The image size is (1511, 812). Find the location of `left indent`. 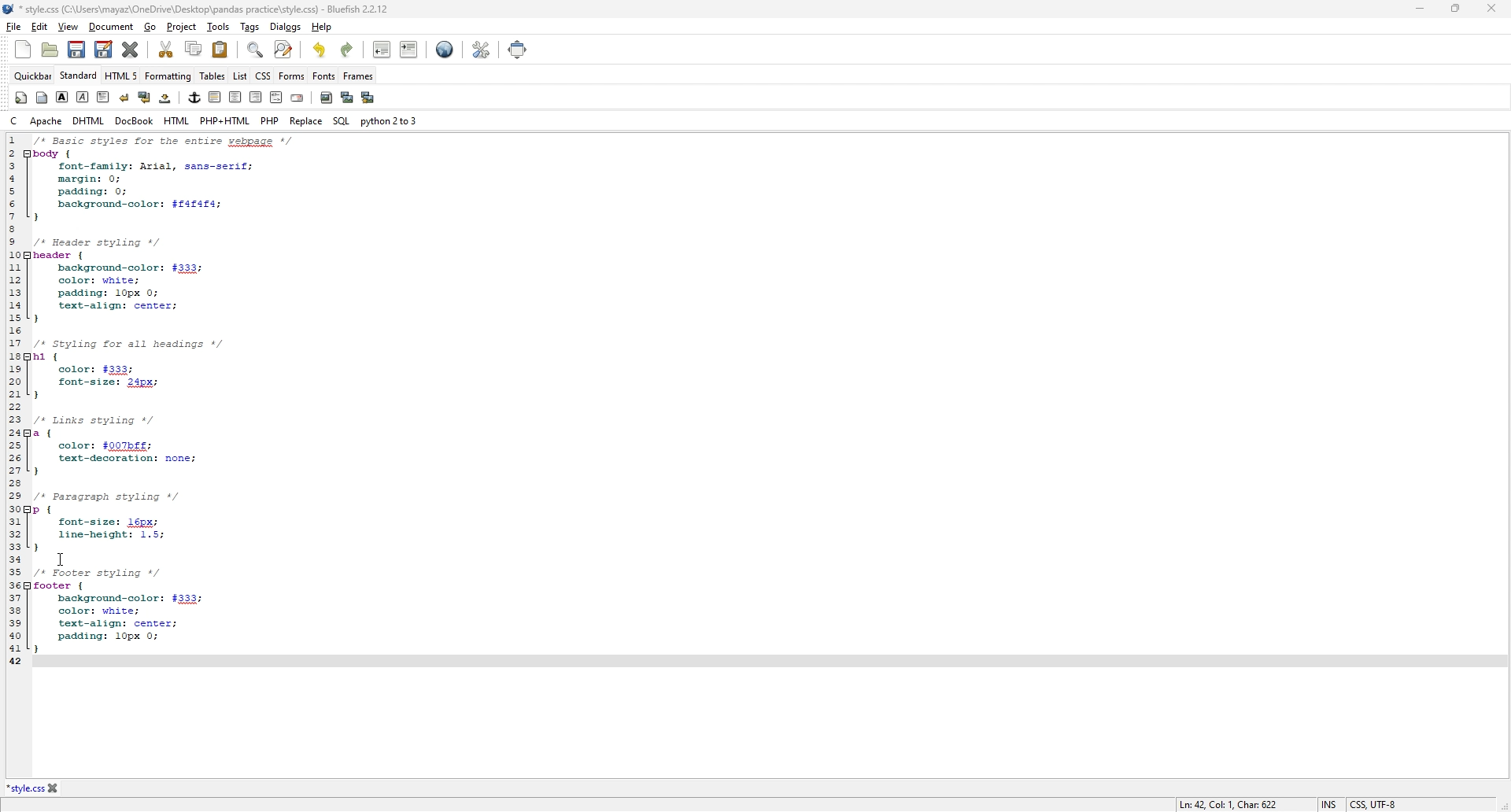

left indent is located at coordinates (256, 97).